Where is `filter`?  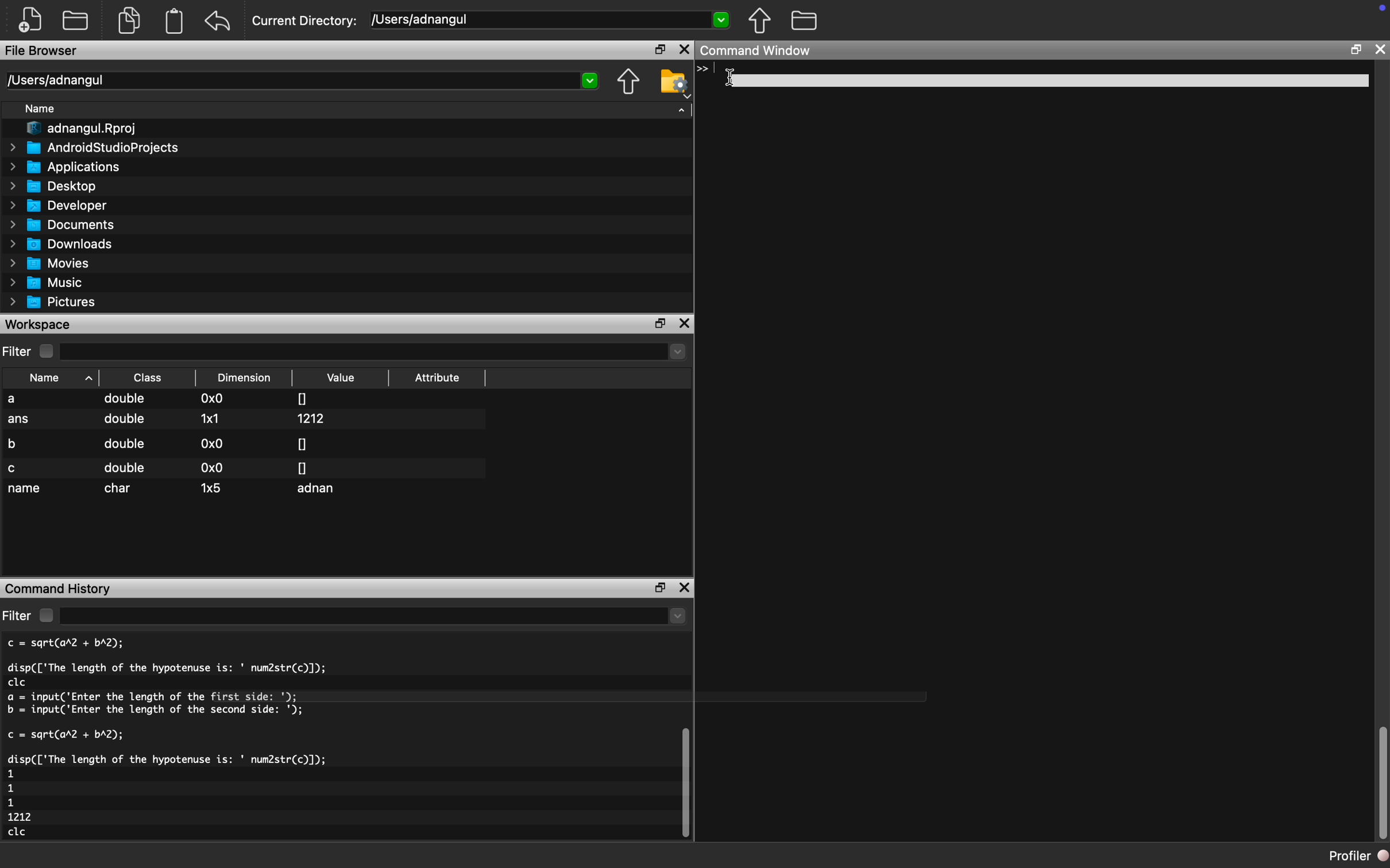 filter is located at coordinates (17, 615).